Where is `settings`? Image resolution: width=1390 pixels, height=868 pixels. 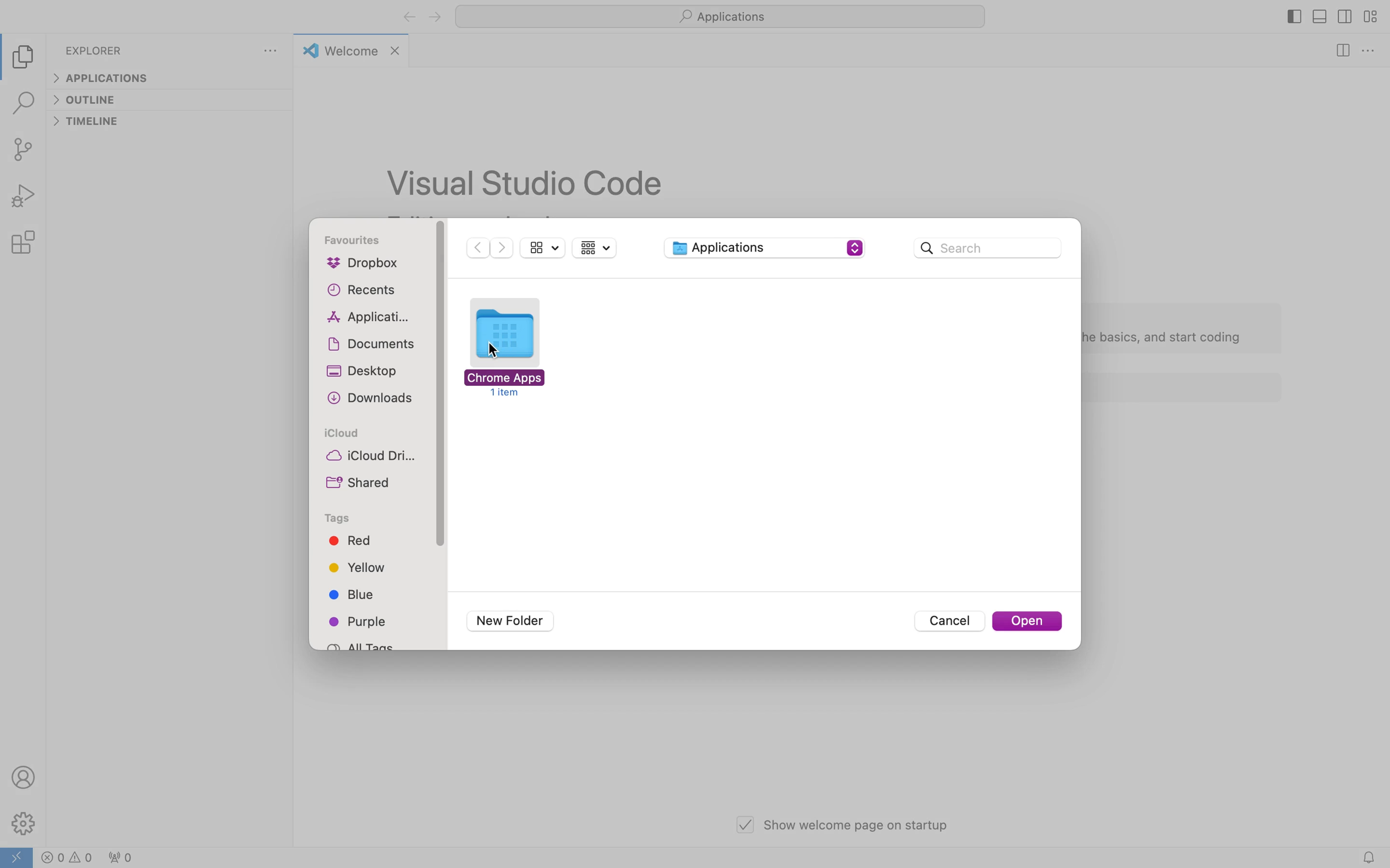
settings is located at coordinates (25, 823).